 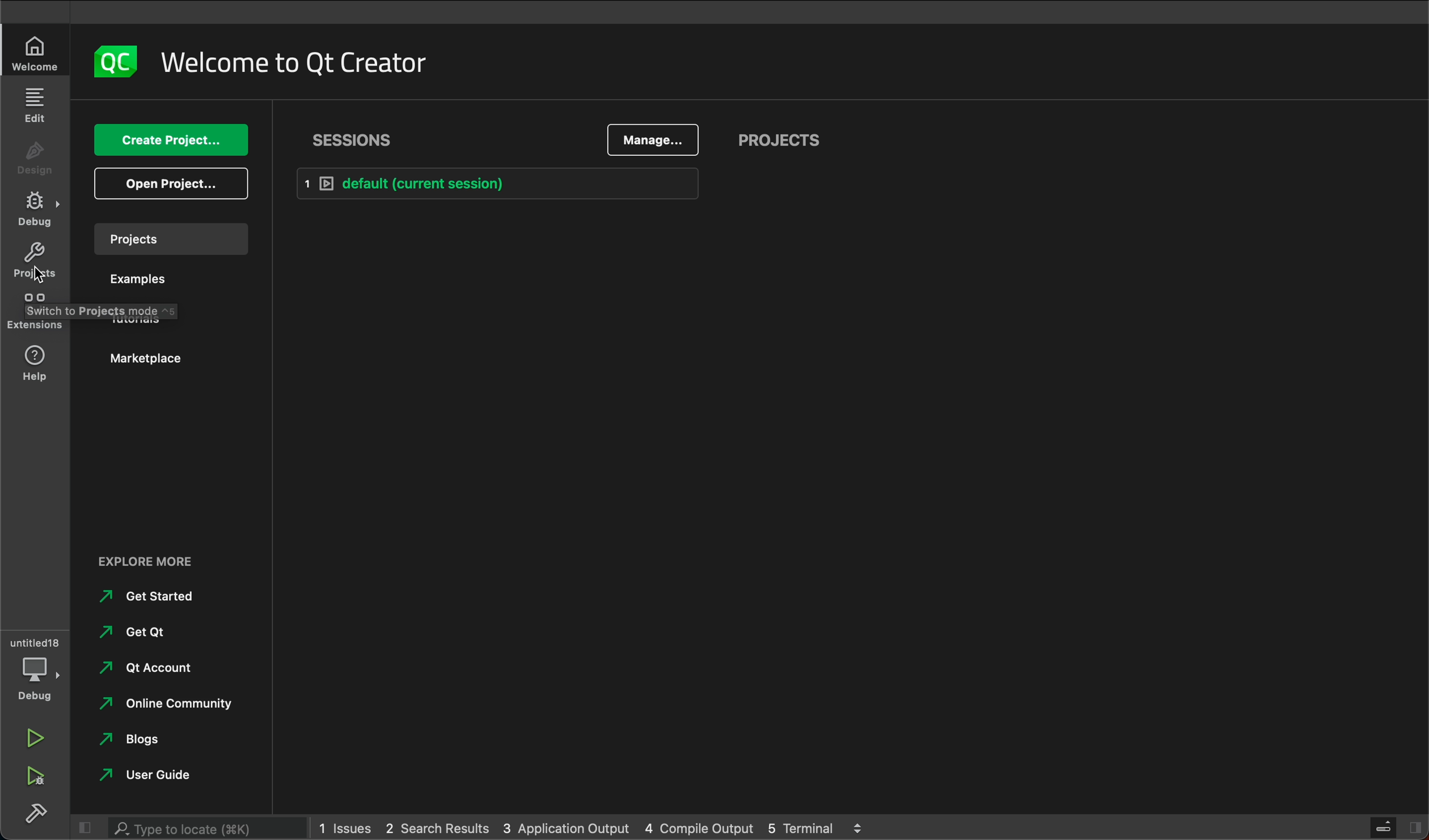 I want to click on extensions, so click(x=36, y=313).